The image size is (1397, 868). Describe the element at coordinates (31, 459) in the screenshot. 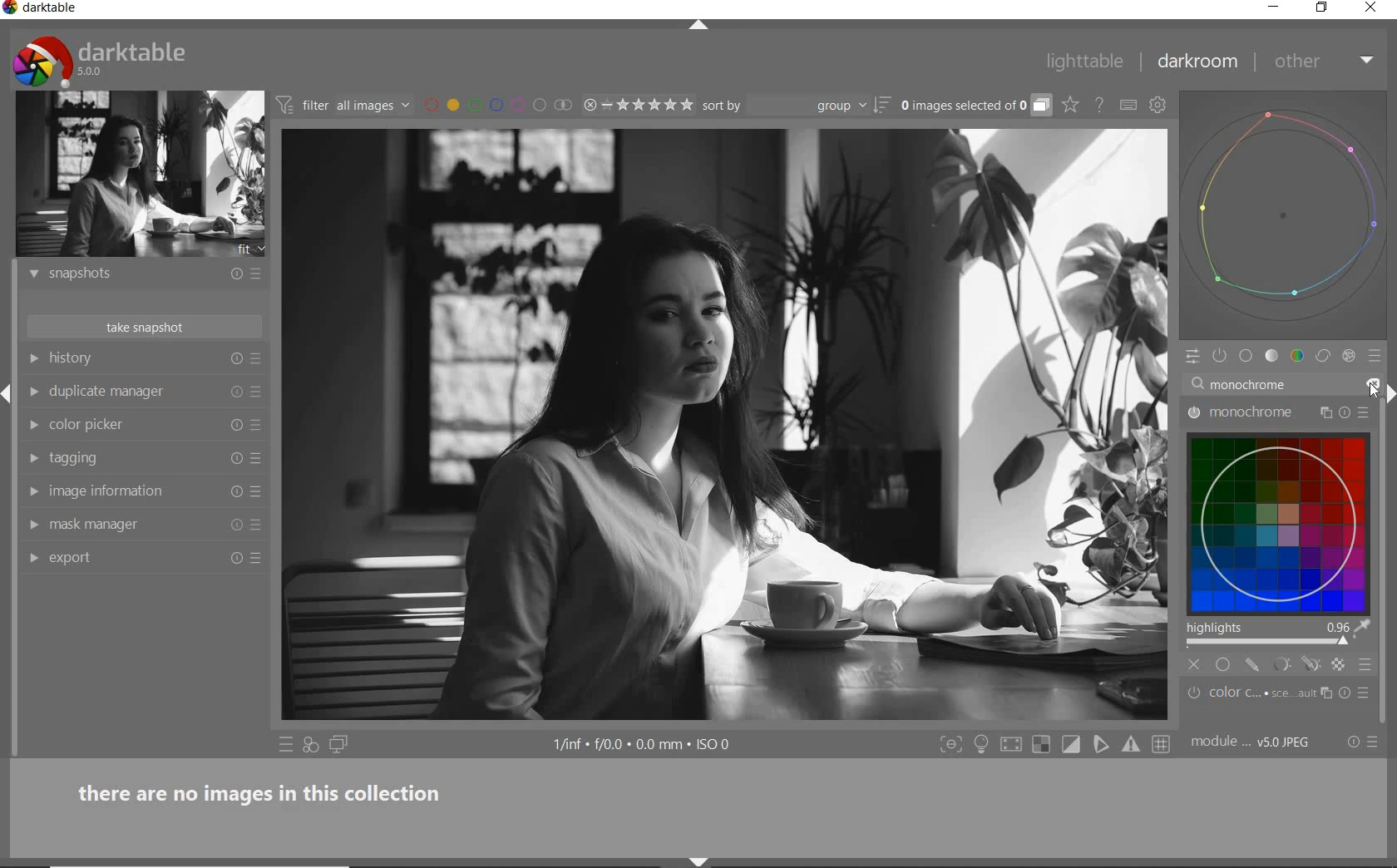

I see `show module` at that location.